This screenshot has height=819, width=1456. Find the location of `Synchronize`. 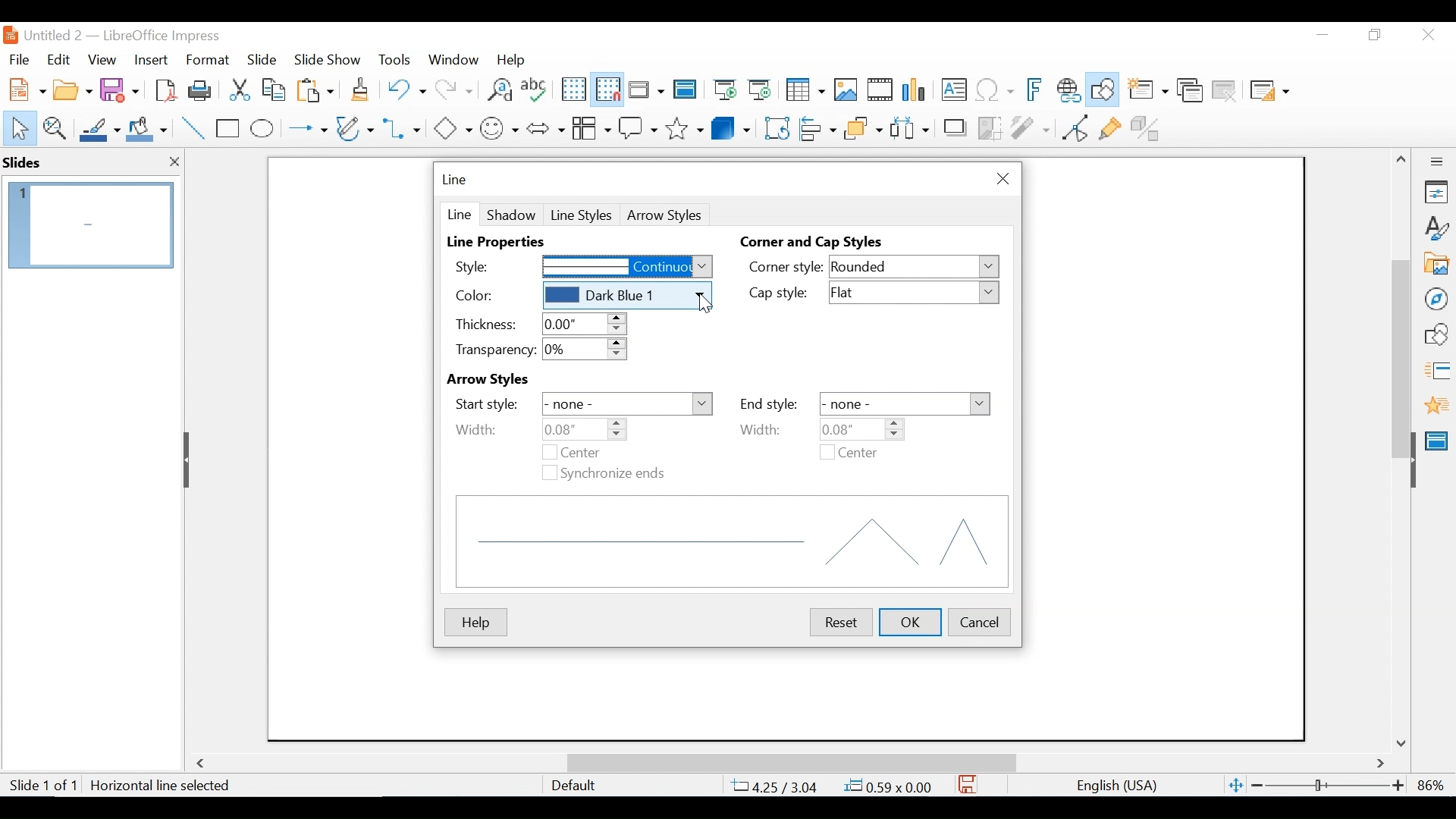

Synchronize is located at coordinates (615, 474).